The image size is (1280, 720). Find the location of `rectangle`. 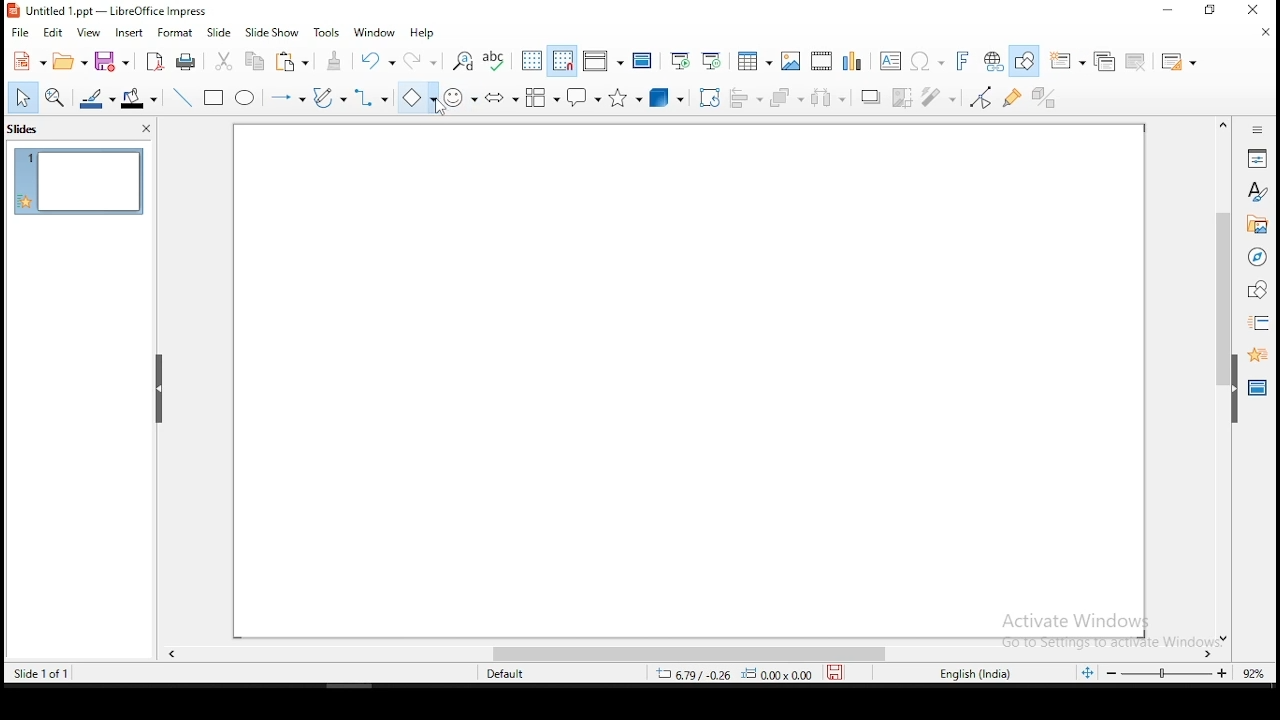

rectangle is located at coordinates (215, 99).